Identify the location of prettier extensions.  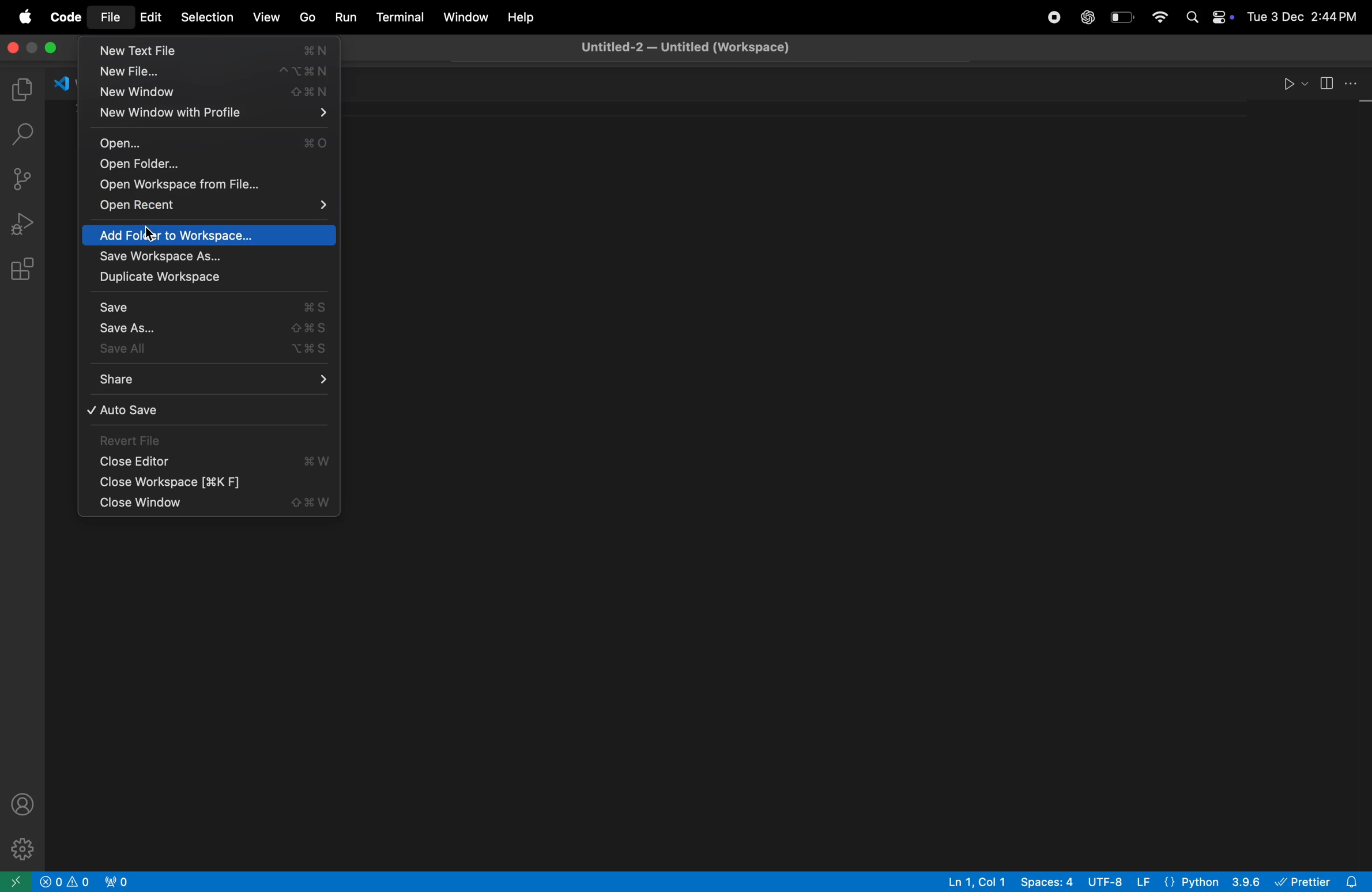
(1321, 881).